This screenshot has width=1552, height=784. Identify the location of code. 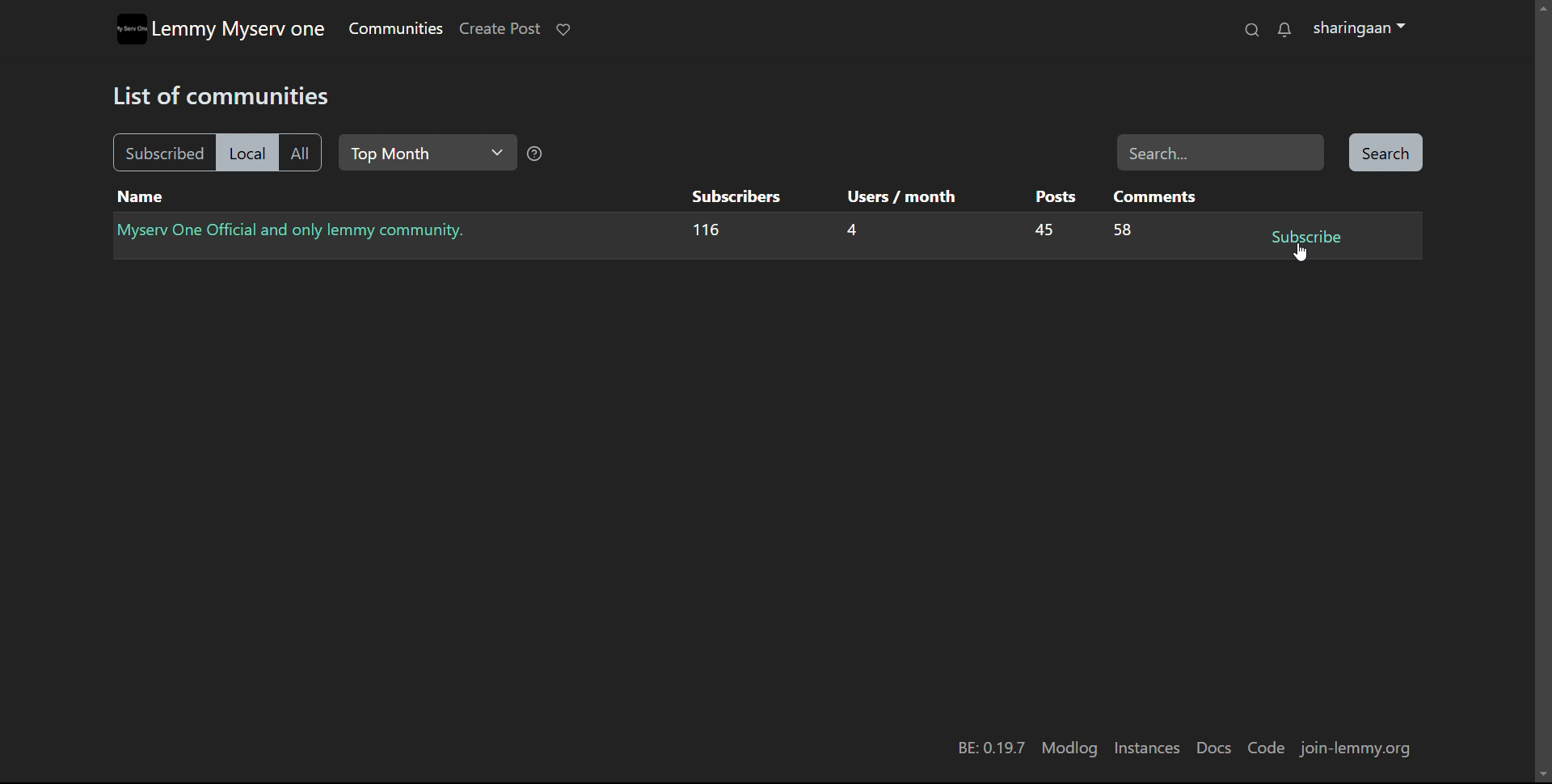
(1265, 748).